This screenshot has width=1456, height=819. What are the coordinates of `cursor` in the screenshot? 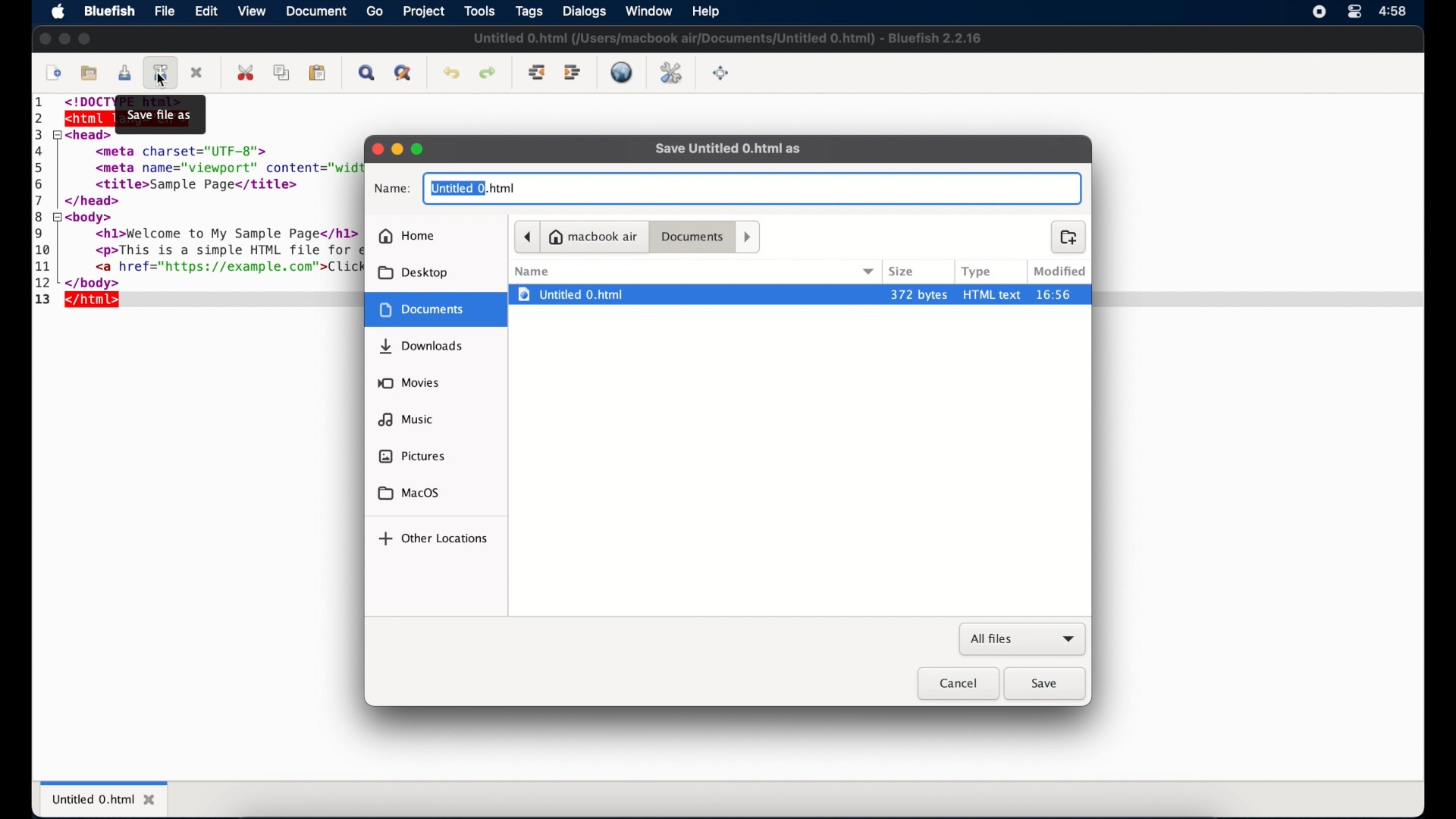 It's located at (162, 81).